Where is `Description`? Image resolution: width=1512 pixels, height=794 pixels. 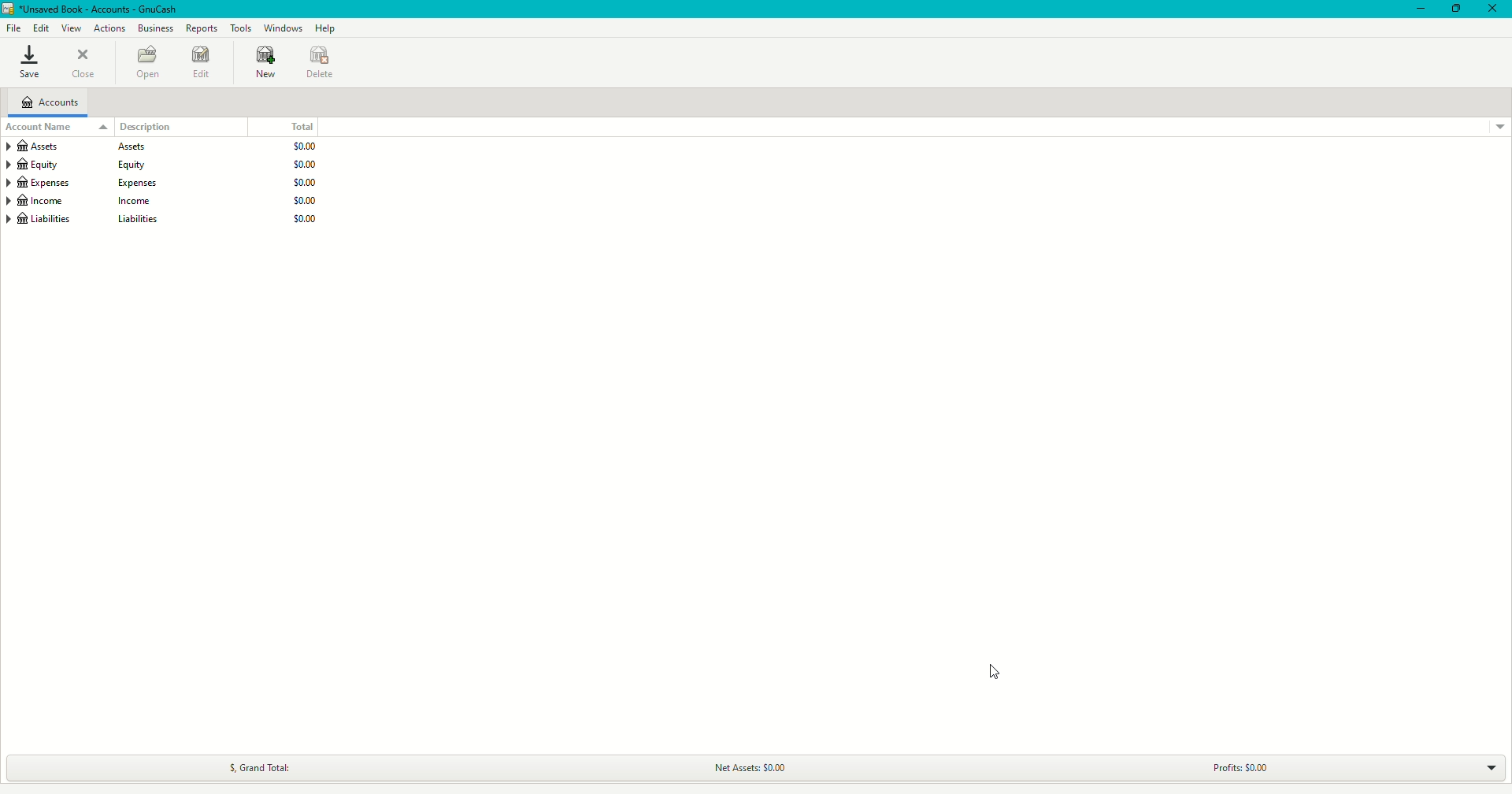 Description is located at coordinates (137, 125).